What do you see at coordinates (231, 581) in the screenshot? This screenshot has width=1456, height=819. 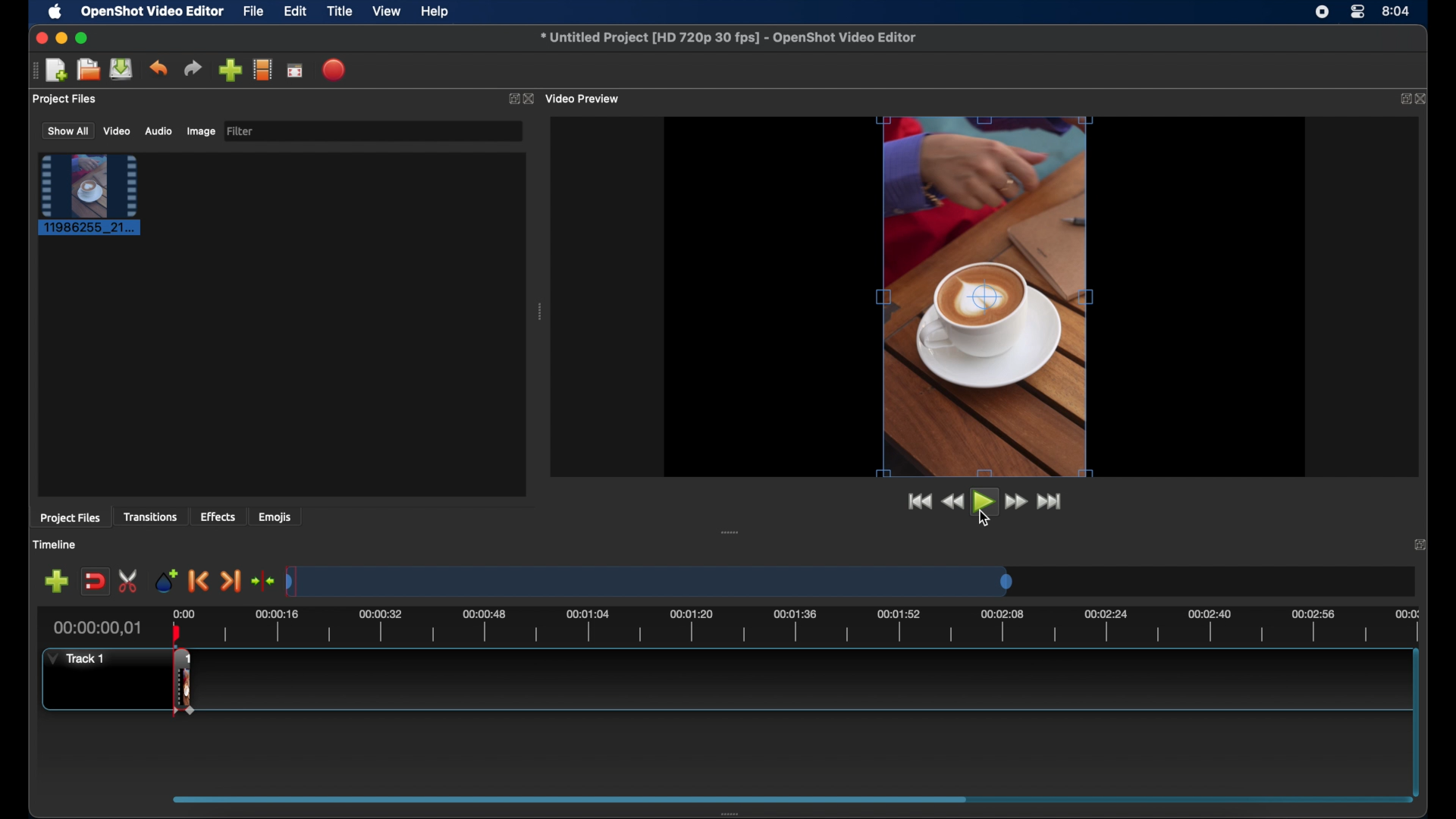 I see `next marker` at bounding box center [231, 581].